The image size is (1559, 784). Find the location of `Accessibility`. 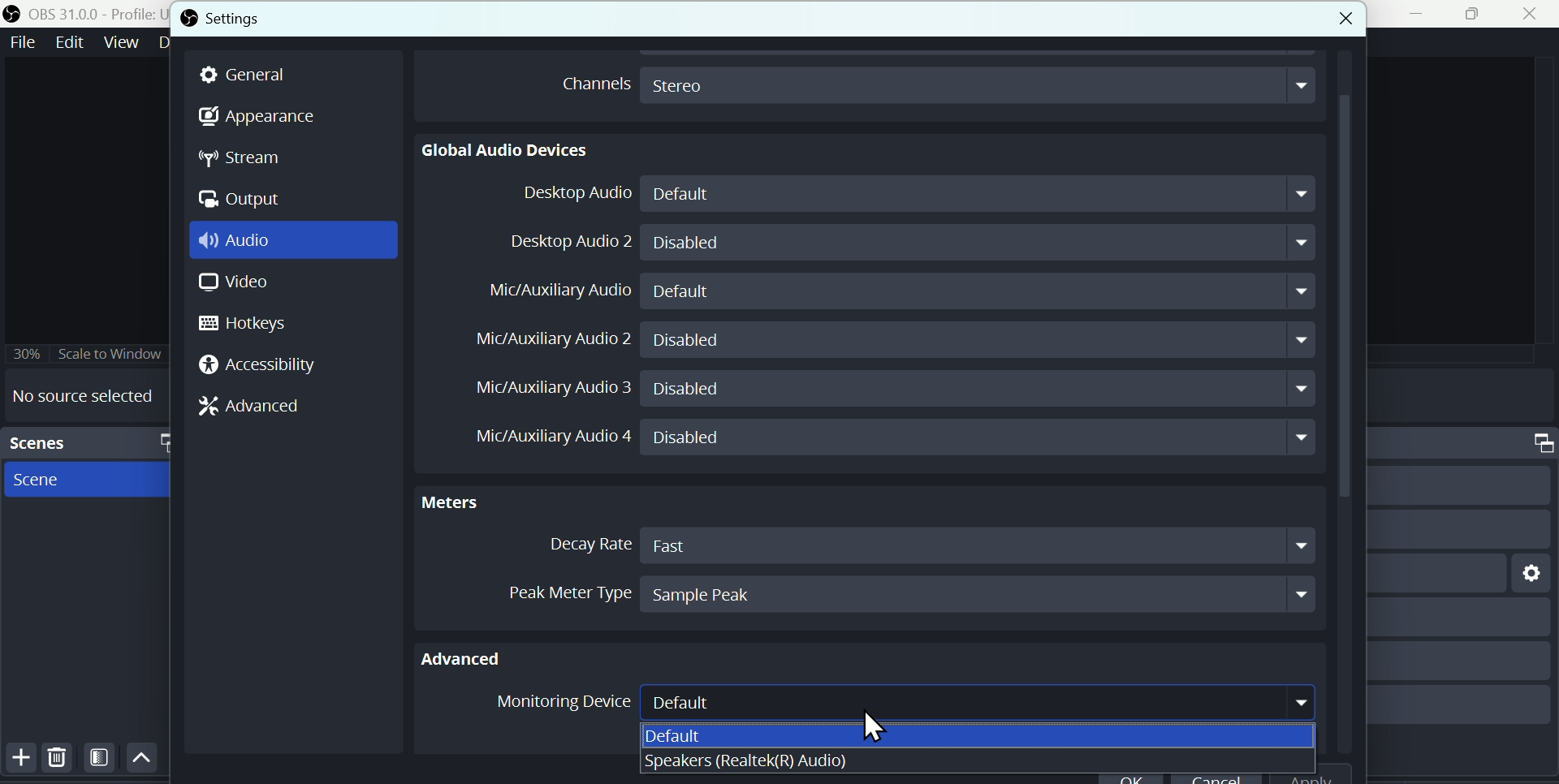

Accessibility is located at coordinates (262, 366).